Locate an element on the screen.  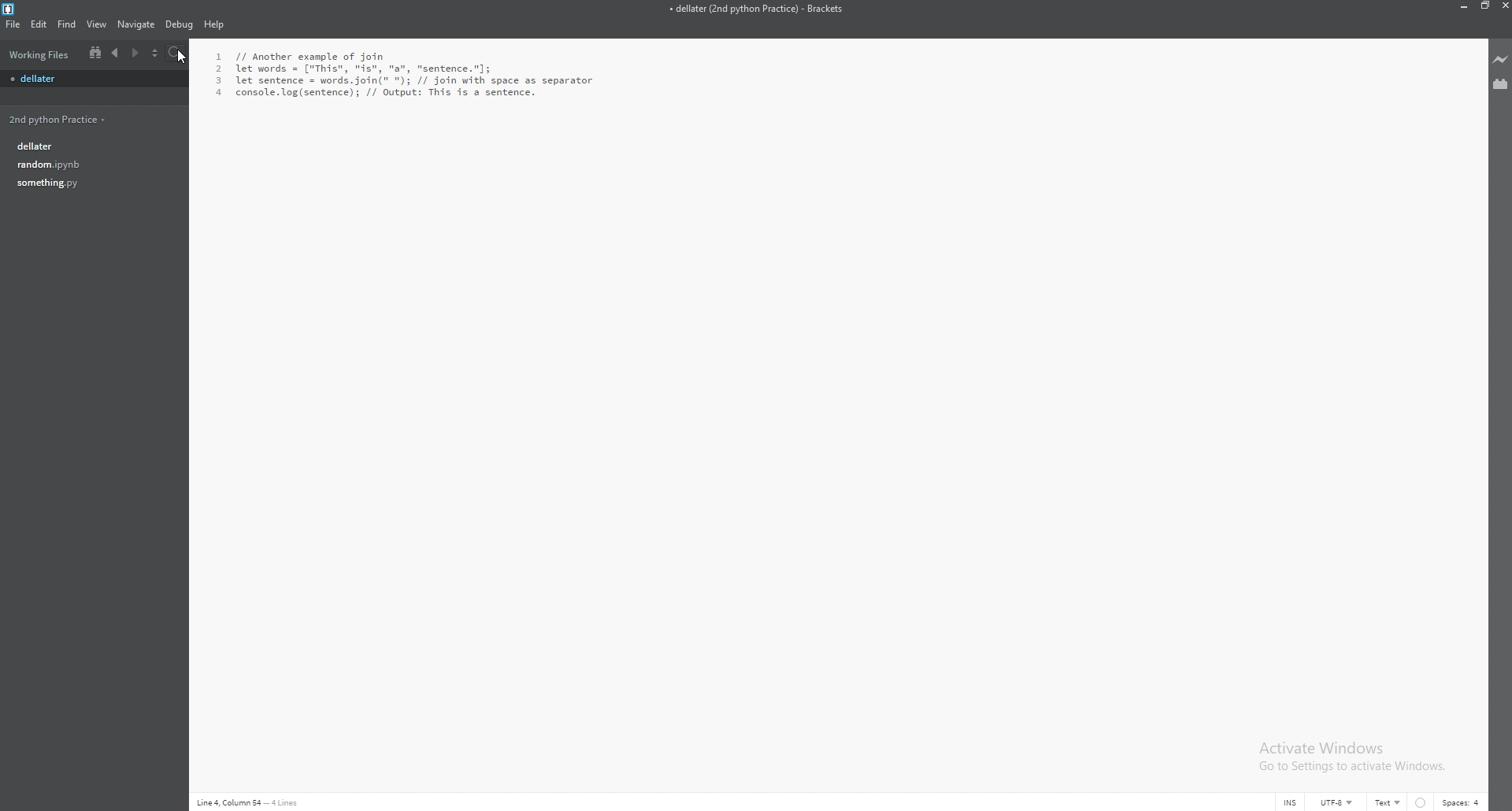
search is located at coordinates (177, 55).